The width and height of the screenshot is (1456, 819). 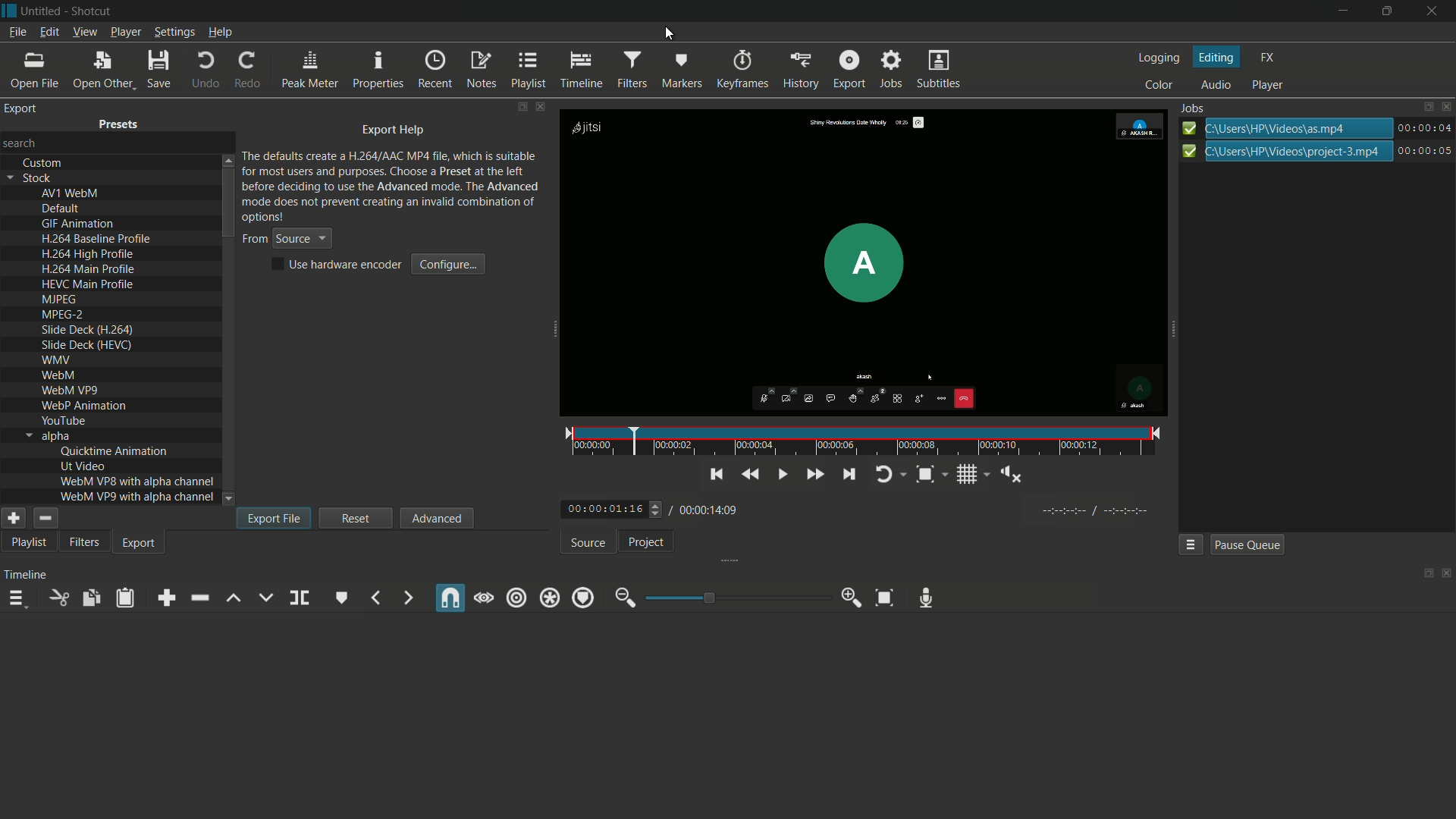 I want to click on jobs, so click(x=1194, y=105).